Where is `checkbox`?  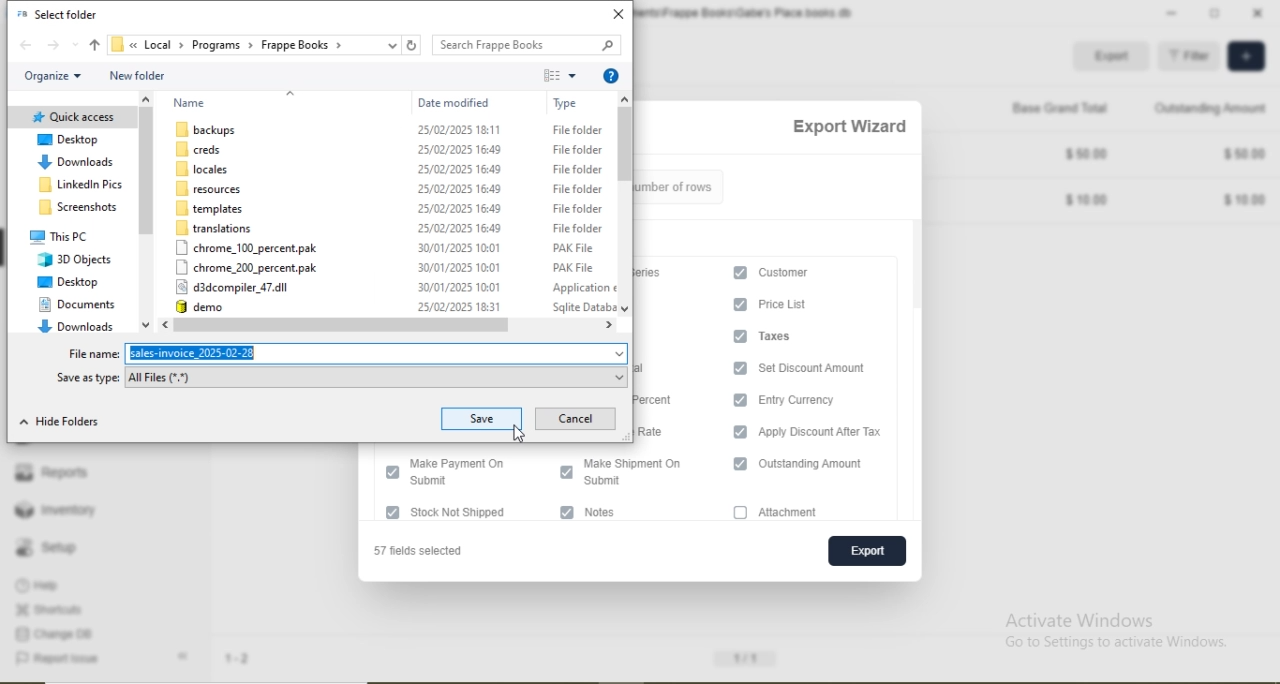
checkbox is located at coordinates (738, 367).